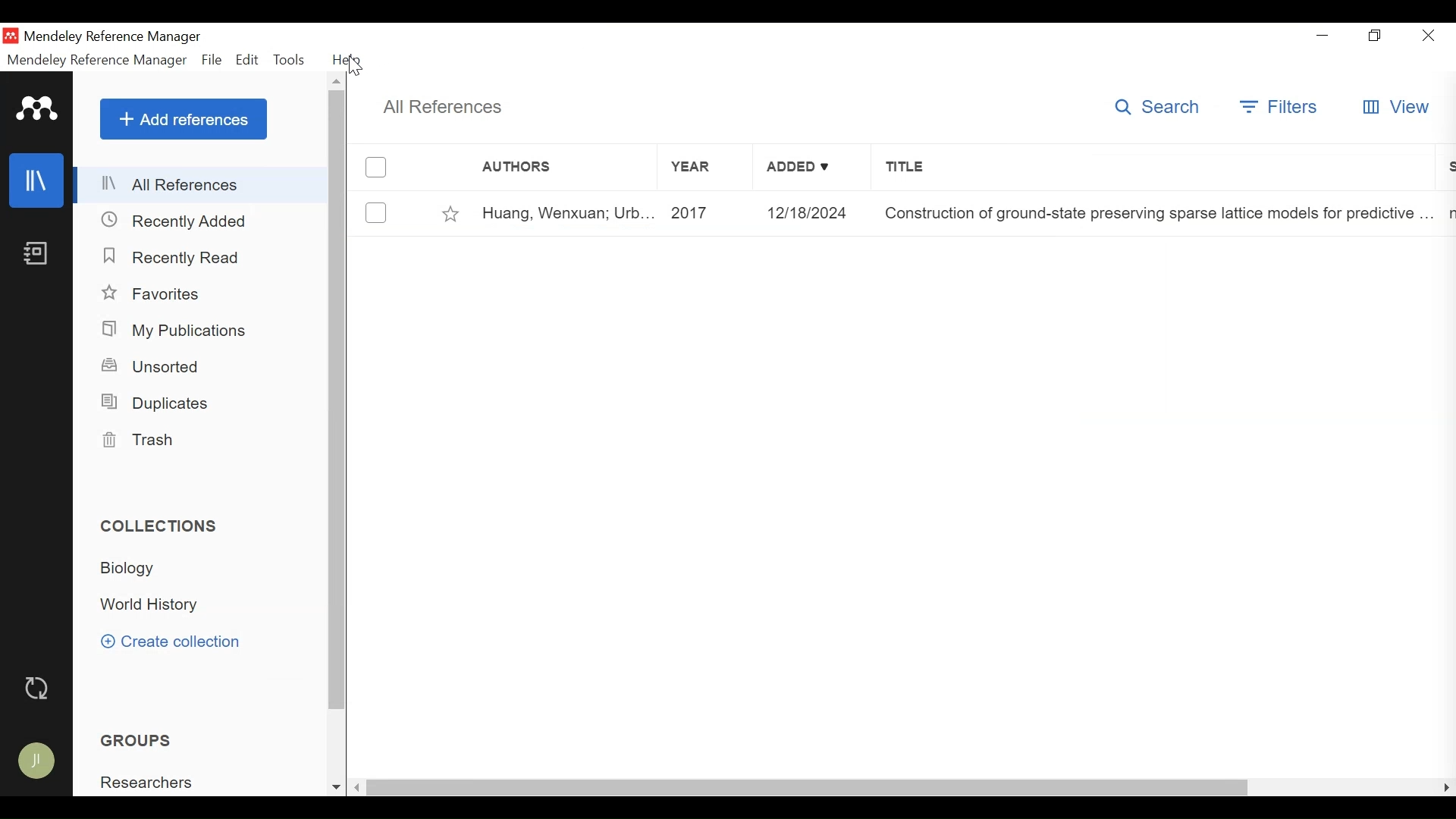  What do you see at coordinates (37, 762) in the screenshot?
I see `Avatar` at bounding box center [37, 762].